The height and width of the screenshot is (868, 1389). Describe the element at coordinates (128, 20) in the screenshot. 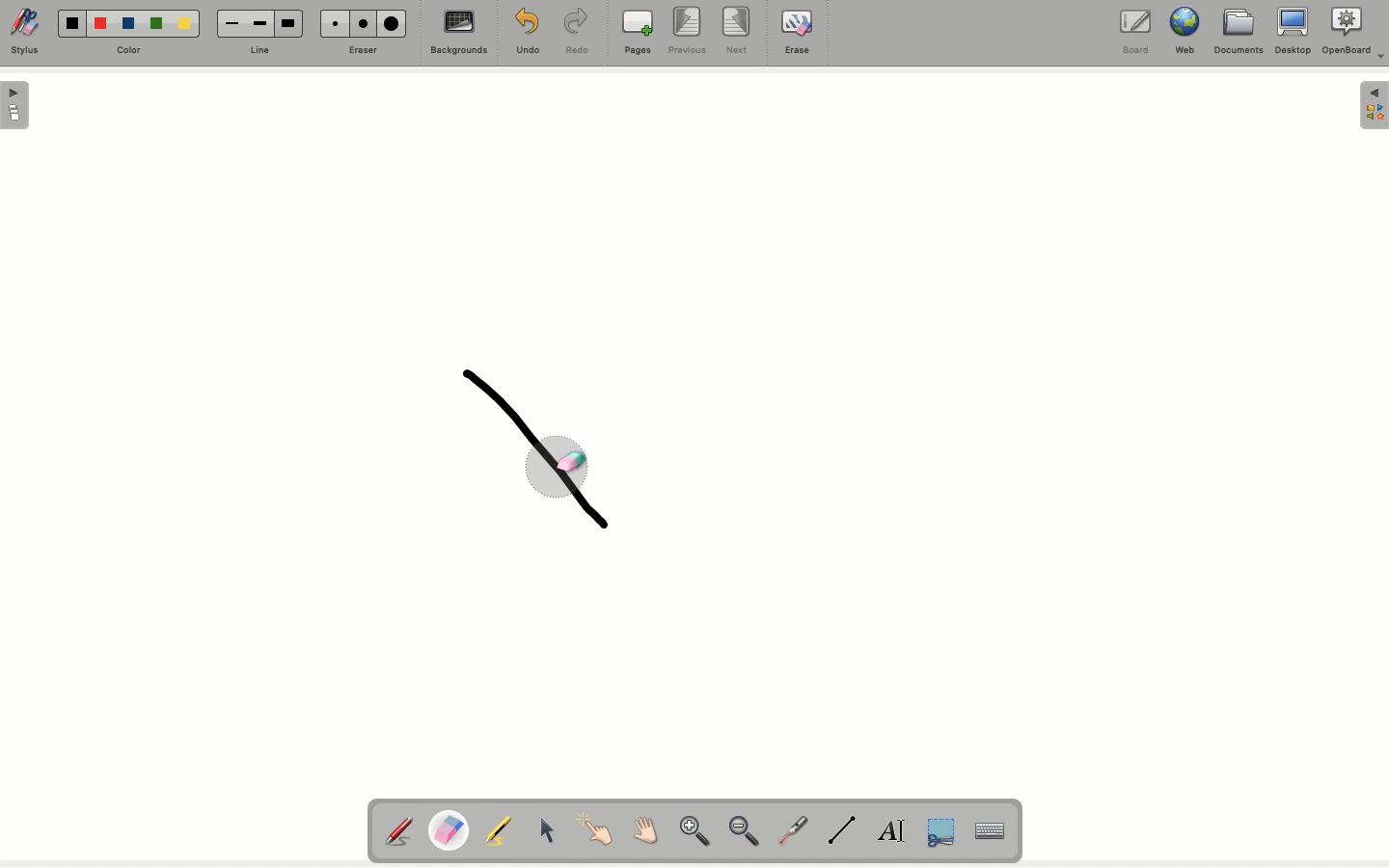

I see `Blue` at that location.